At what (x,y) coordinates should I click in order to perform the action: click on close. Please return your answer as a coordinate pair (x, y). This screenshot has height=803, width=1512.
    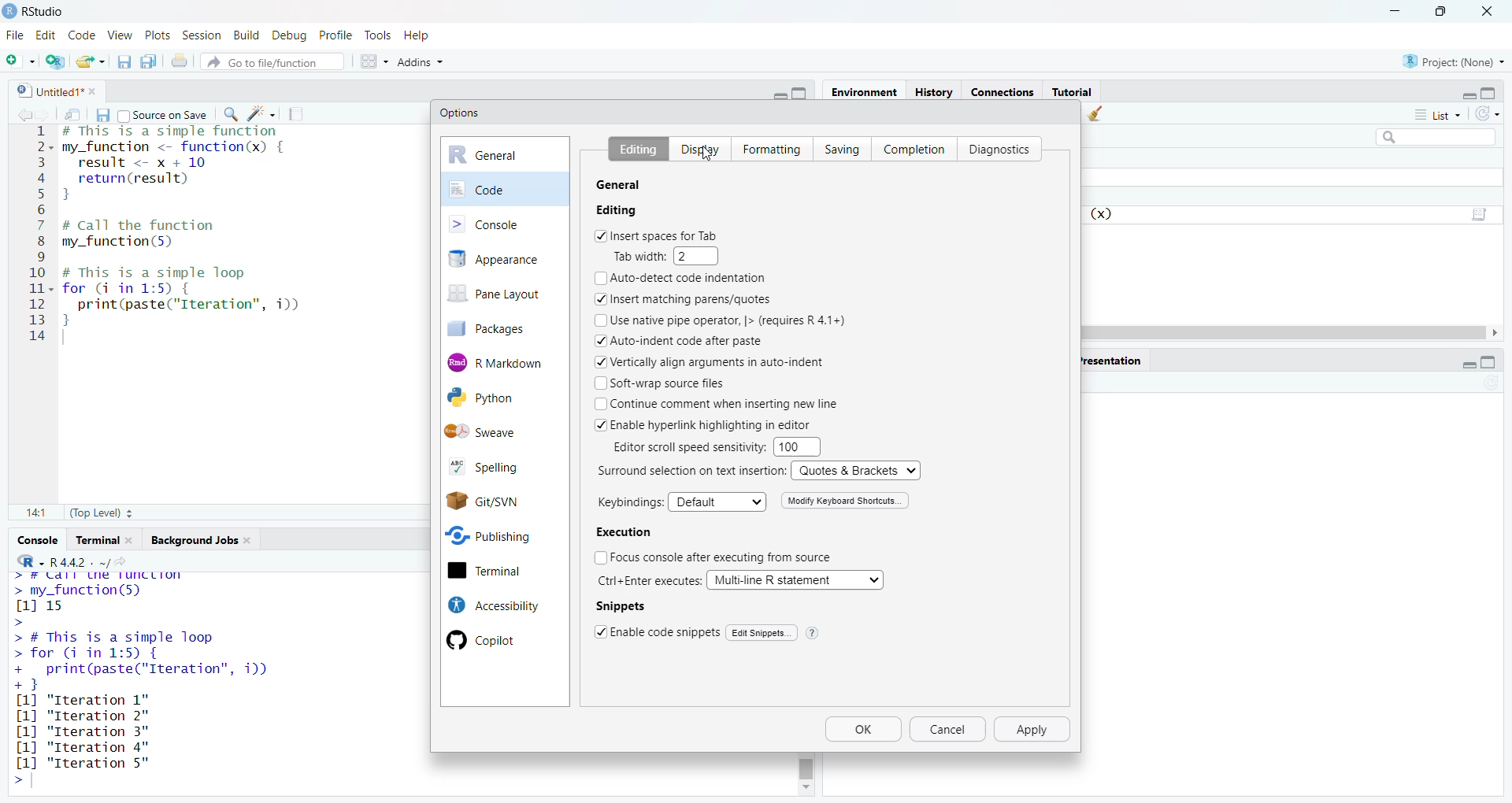
    Looking at the image, I should click on (1492, 9).